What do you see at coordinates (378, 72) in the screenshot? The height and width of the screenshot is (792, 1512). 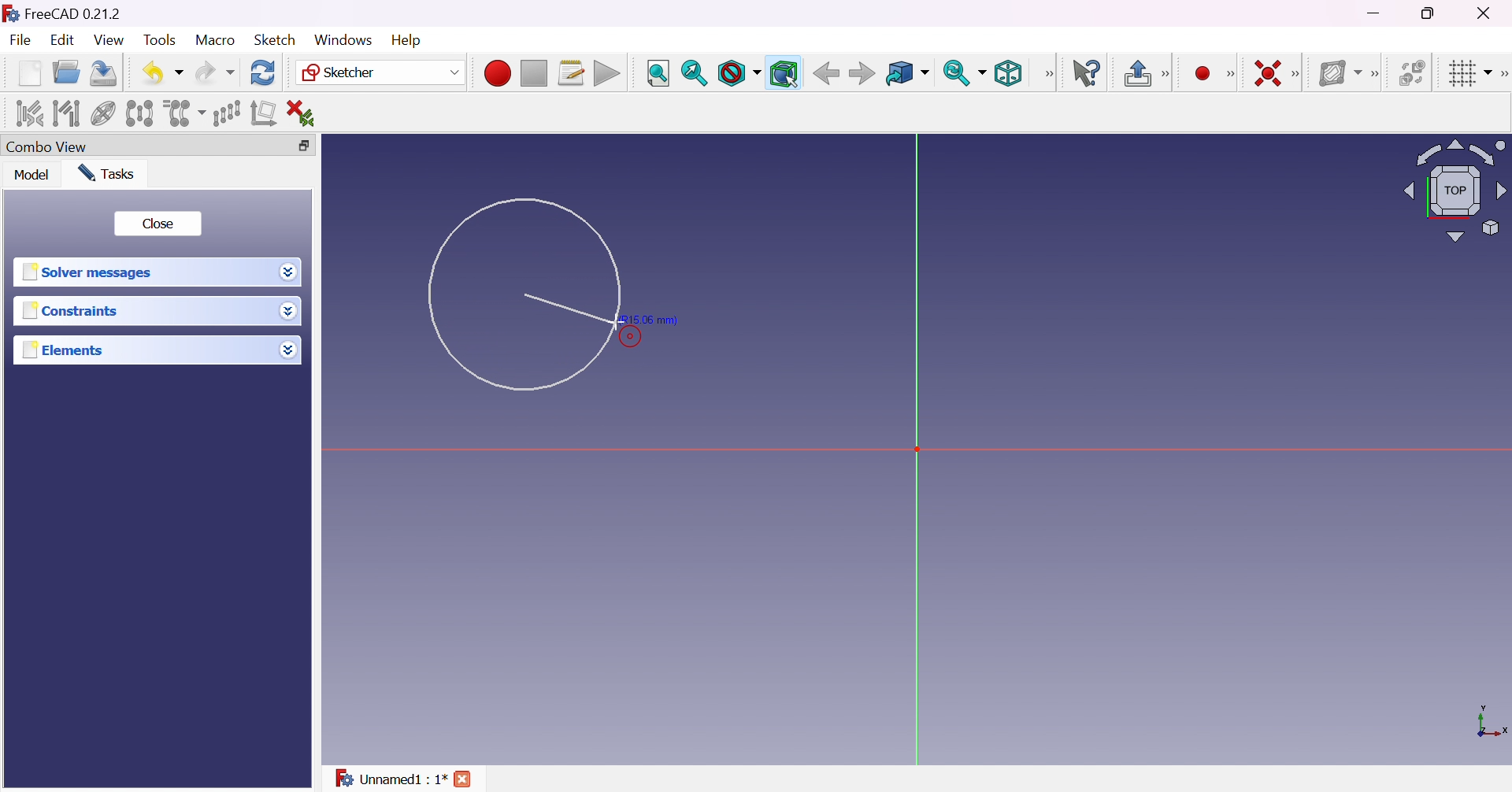 I see `Sketcher` at bounding box center [378, 72].